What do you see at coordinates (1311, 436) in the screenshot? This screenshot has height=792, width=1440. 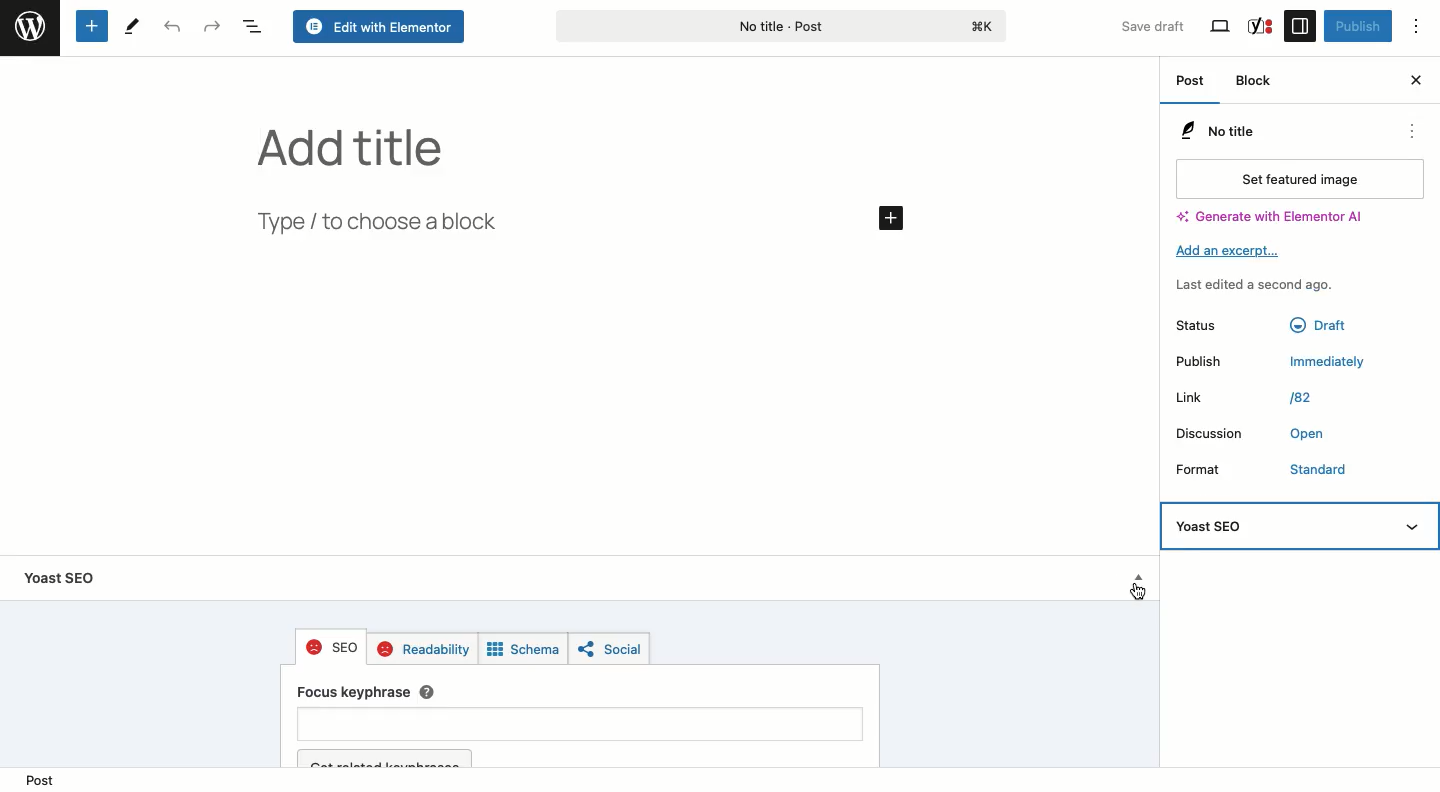 I see `Open` at bounding box center [1311, 436].